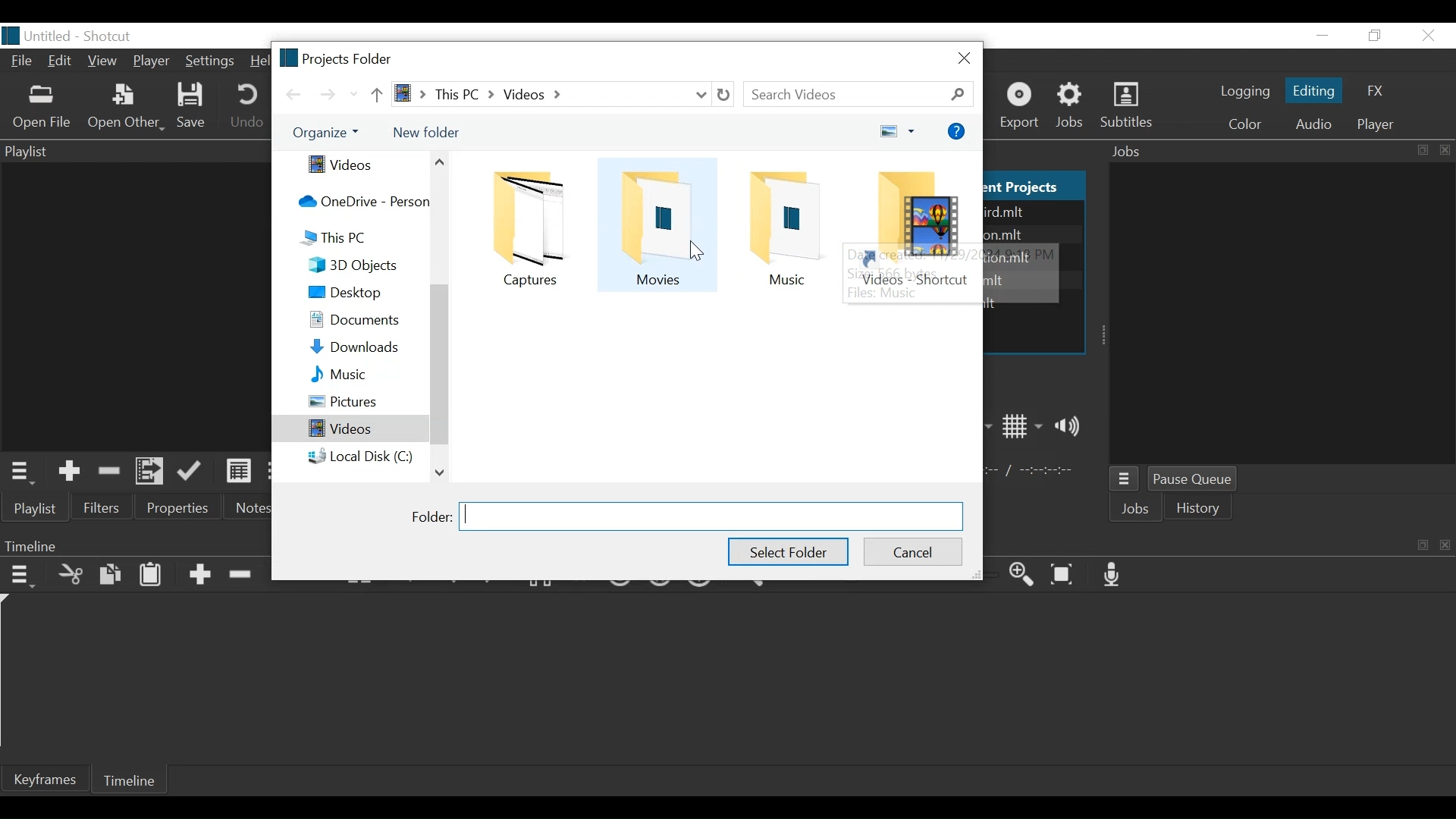 This screenshot has height=819, width=1456. I want to click on Update, so click(193, 472).